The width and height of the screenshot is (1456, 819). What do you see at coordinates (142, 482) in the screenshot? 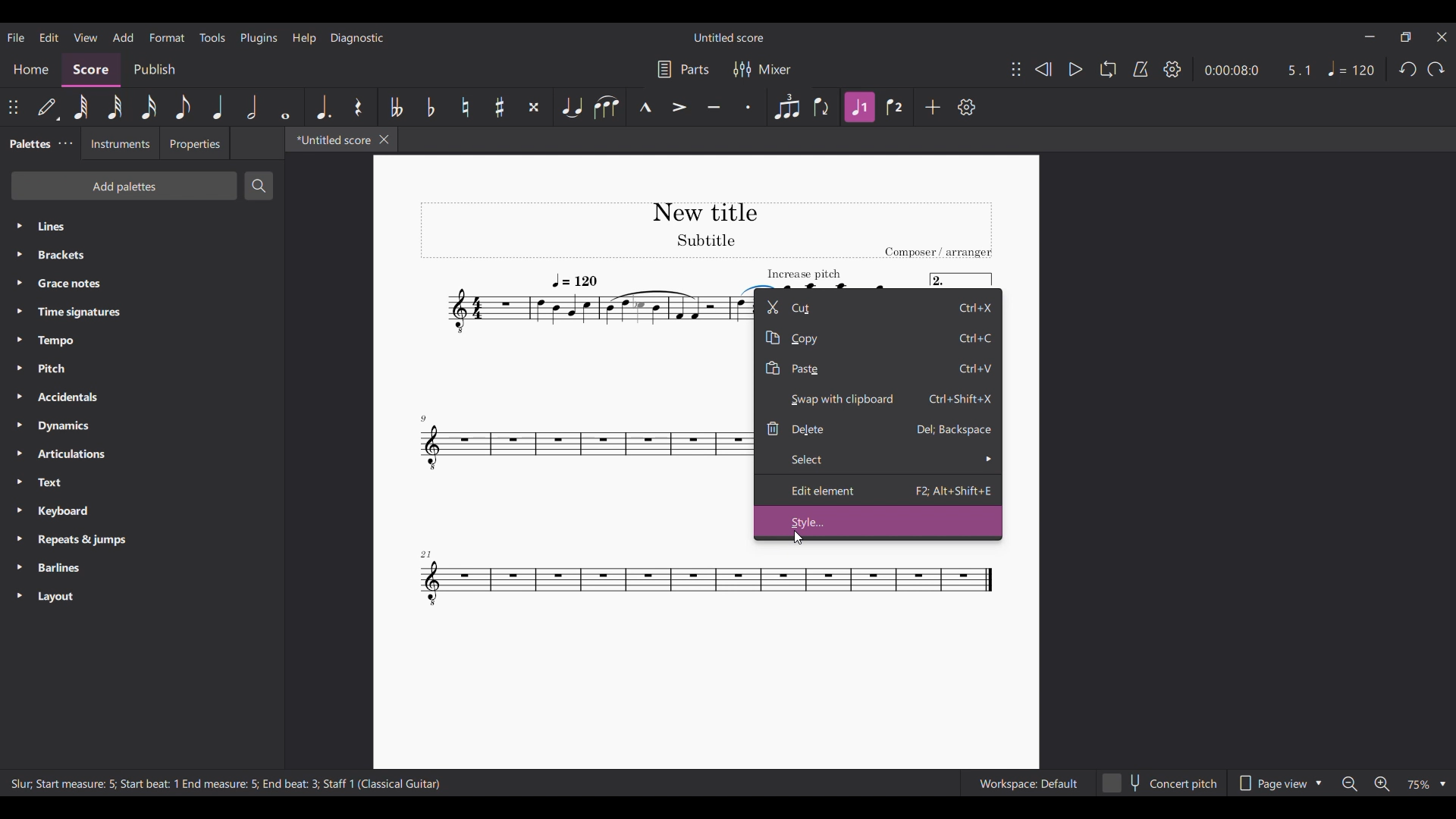
I see `Text` at bounding box center [142, 482].